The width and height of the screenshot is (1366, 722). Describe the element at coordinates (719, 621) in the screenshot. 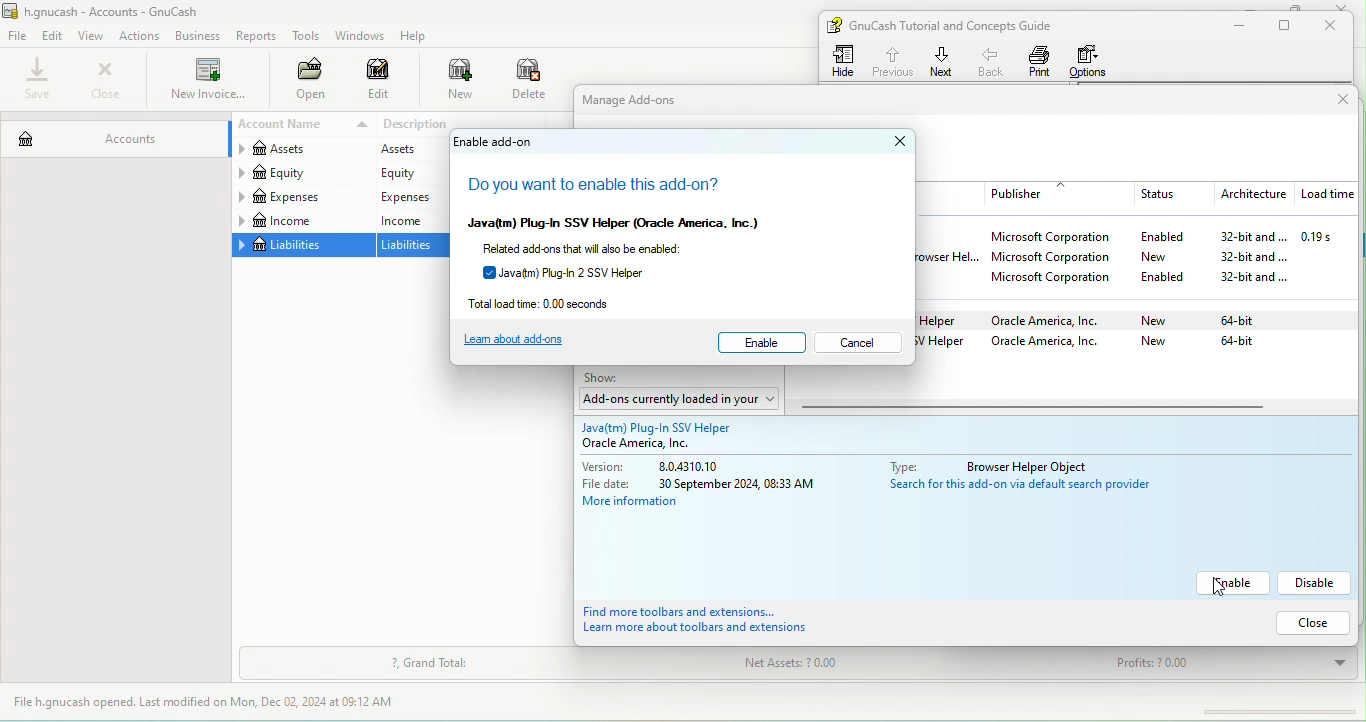

I see `find more toolbars and extensions learn more about toolbars and extensions` at that location.